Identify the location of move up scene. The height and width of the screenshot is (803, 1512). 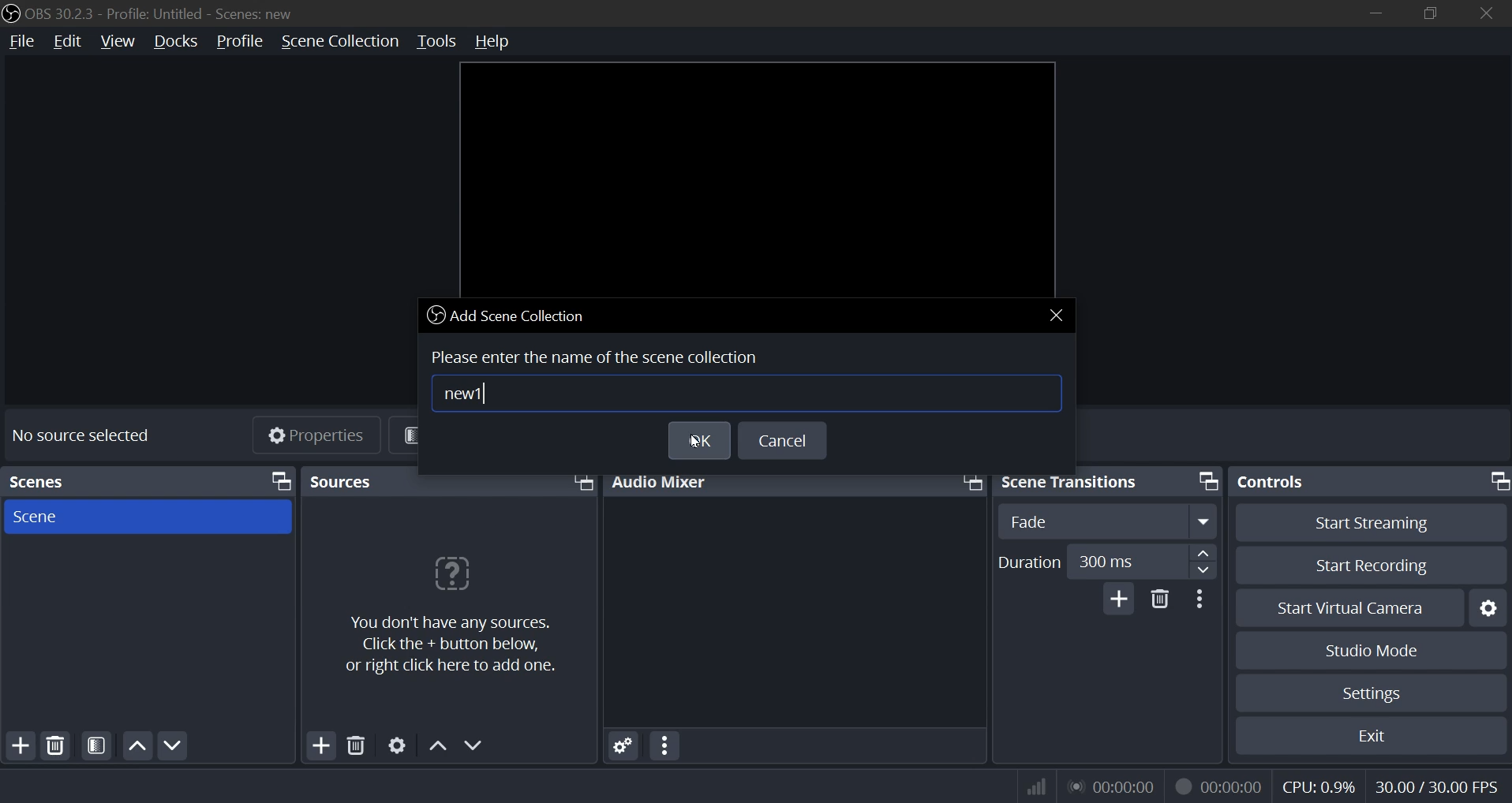
(137, 745).